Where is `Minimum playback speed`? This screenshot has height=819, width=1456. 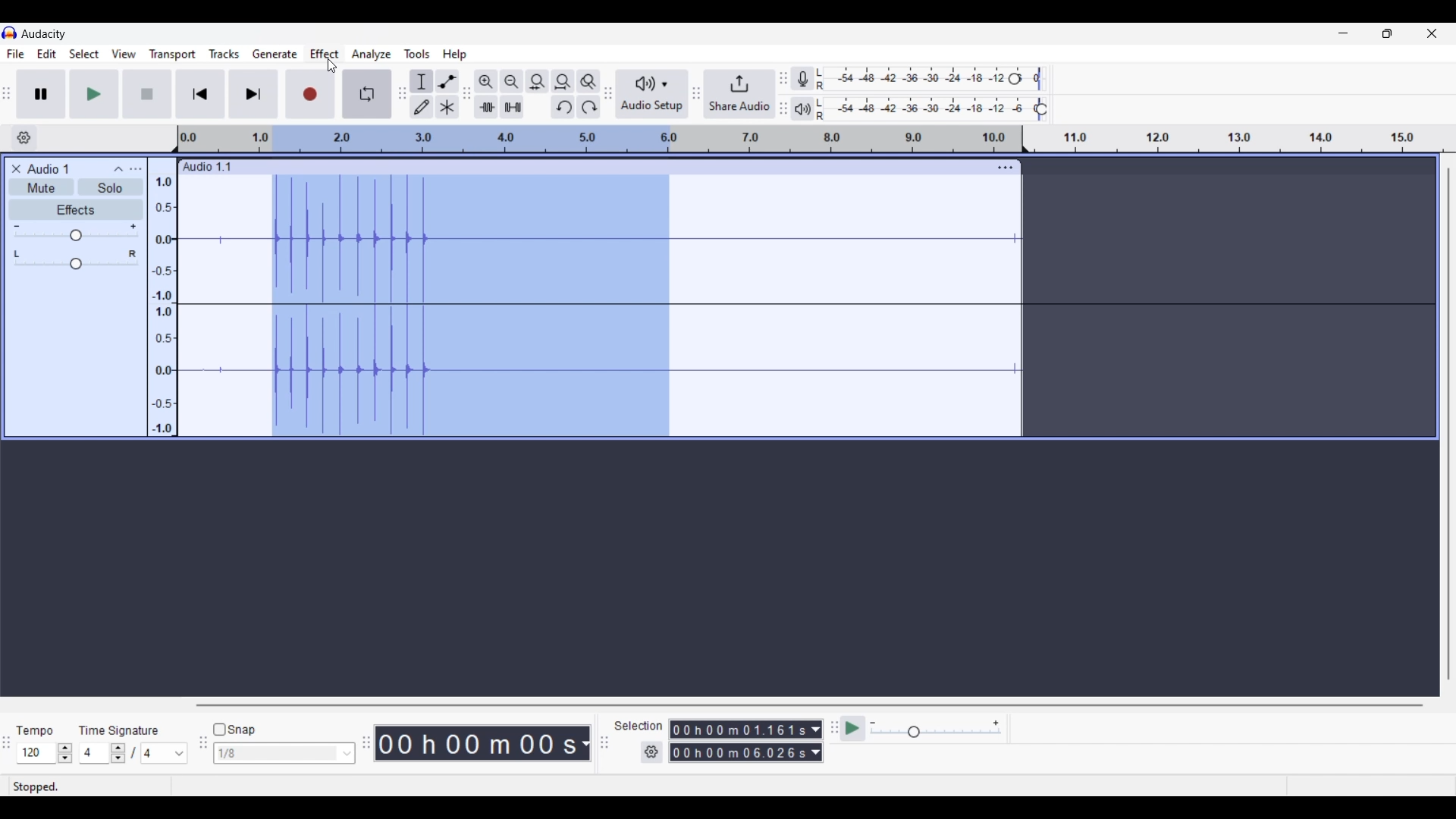 Minimum playback speed is located at coordinates (873, 723).